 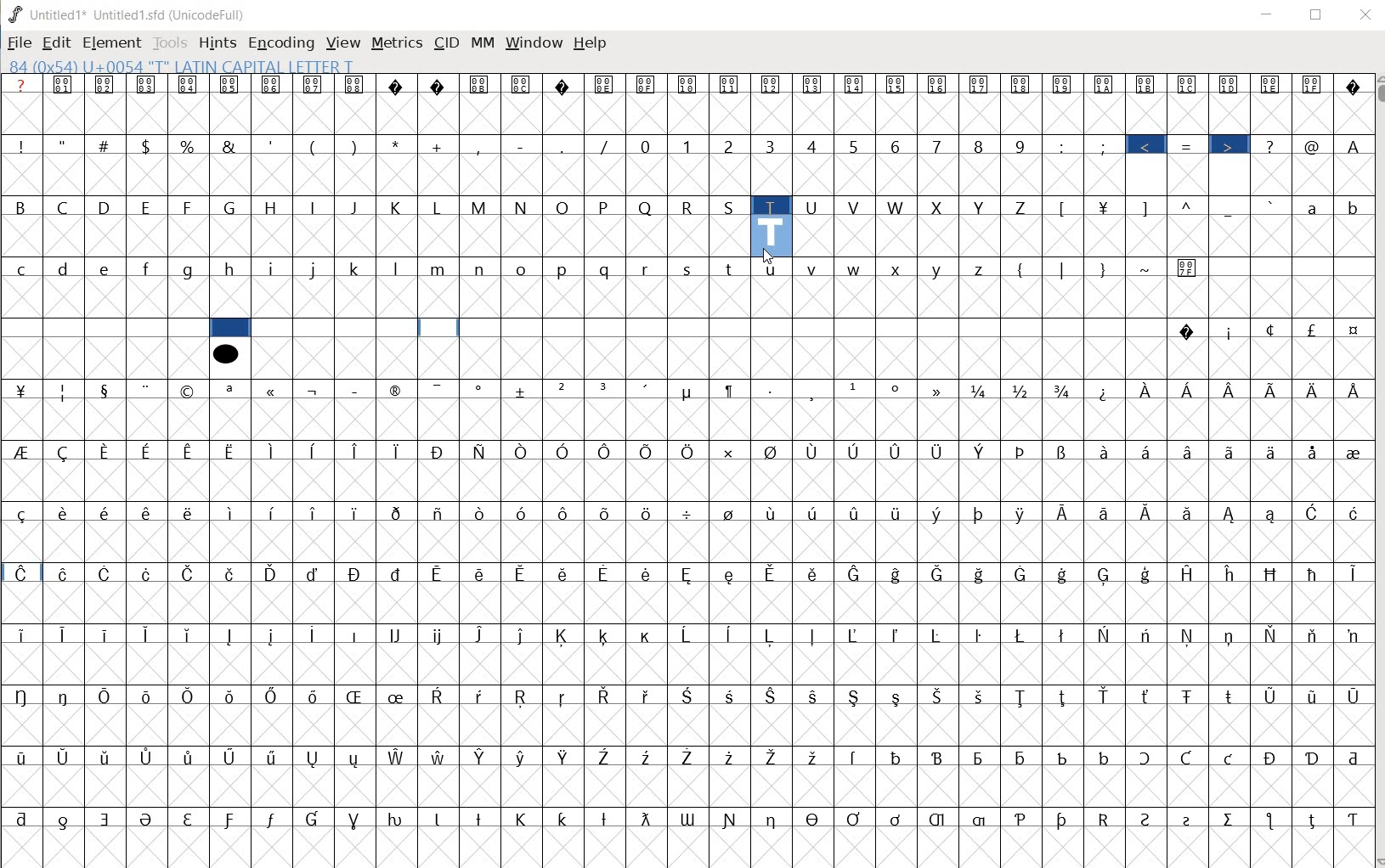 I want to click on Symbol, so click(x=855, y=451).